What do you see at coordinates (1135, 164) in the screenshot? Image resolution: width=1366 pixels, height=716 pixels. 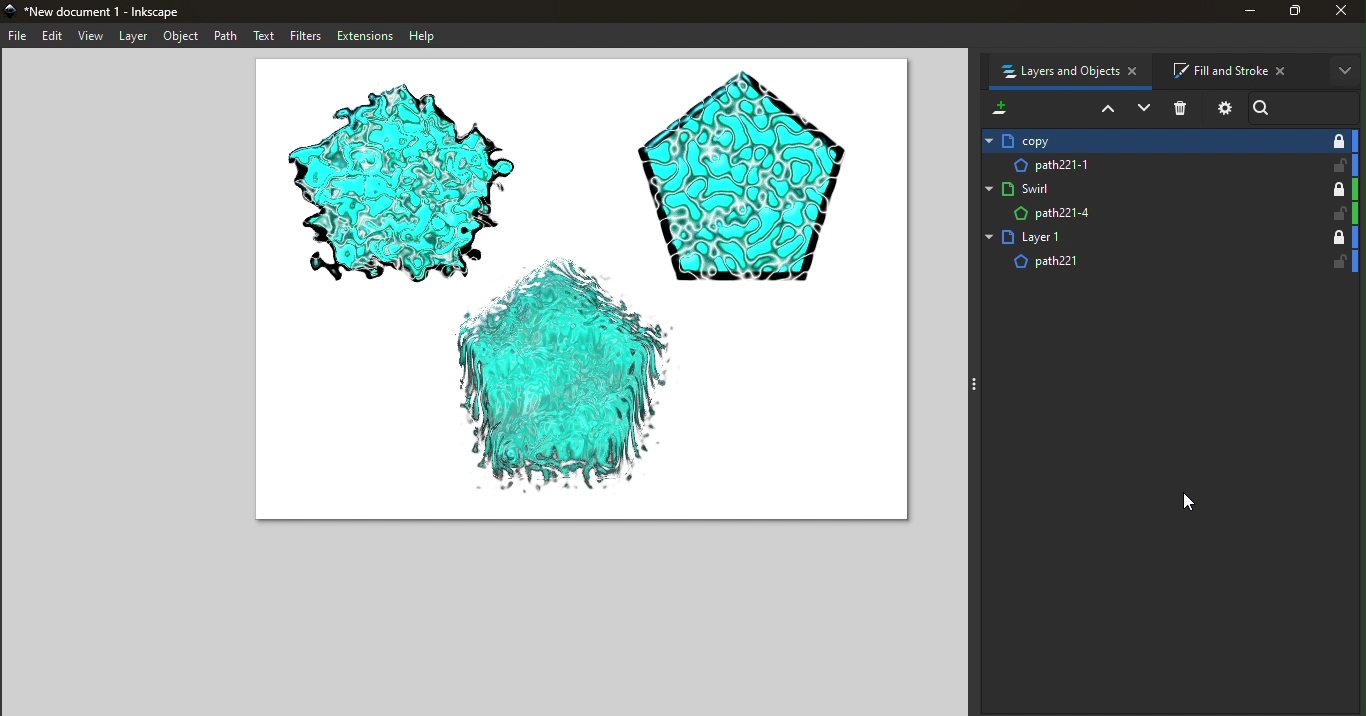 I see `path221-1` at bounding box center [1135, 164].